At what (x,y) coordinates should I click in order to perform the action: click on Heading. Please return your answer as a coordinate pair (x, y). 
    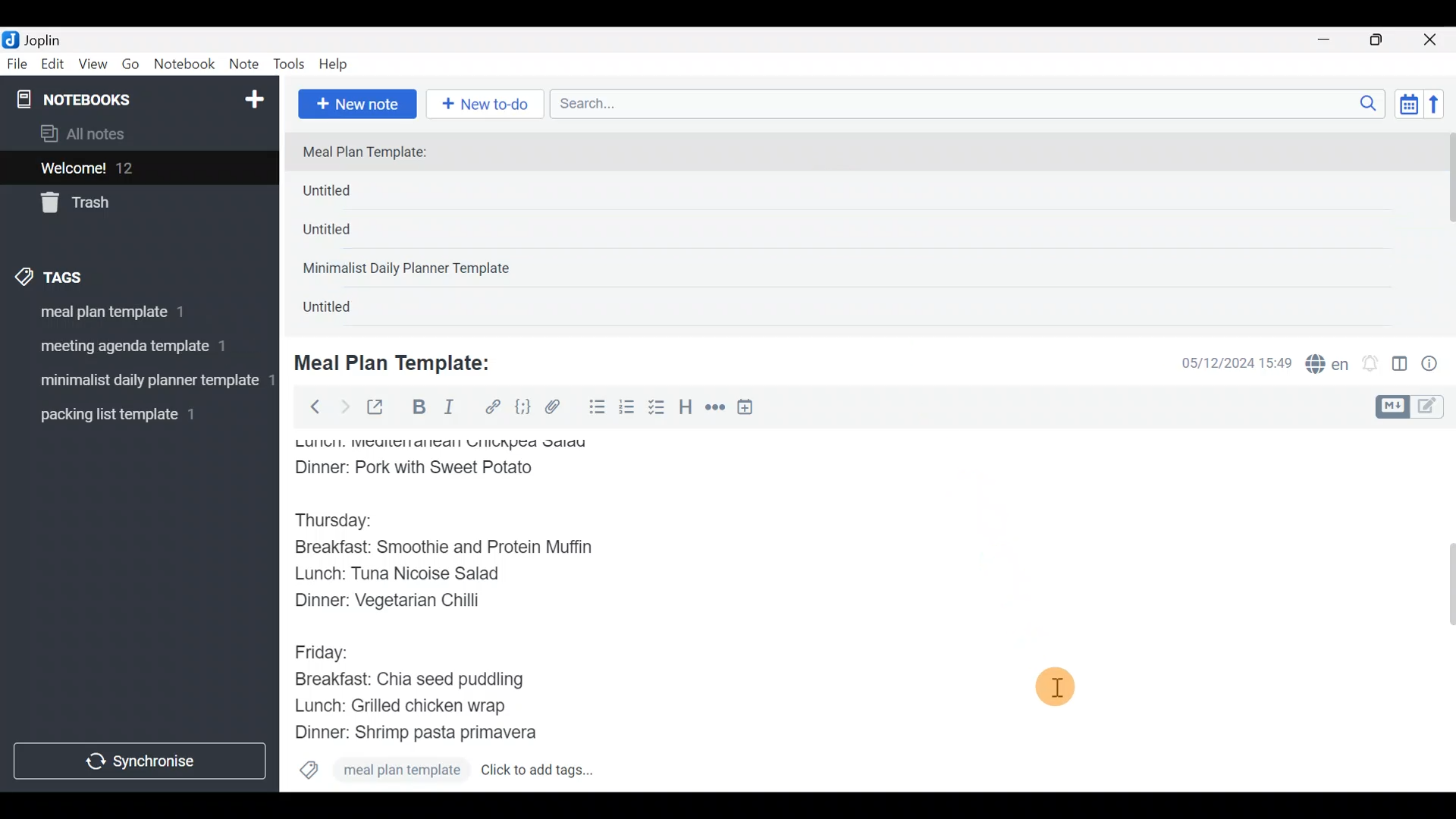
    Looking at the image, I should click on (686, 409).